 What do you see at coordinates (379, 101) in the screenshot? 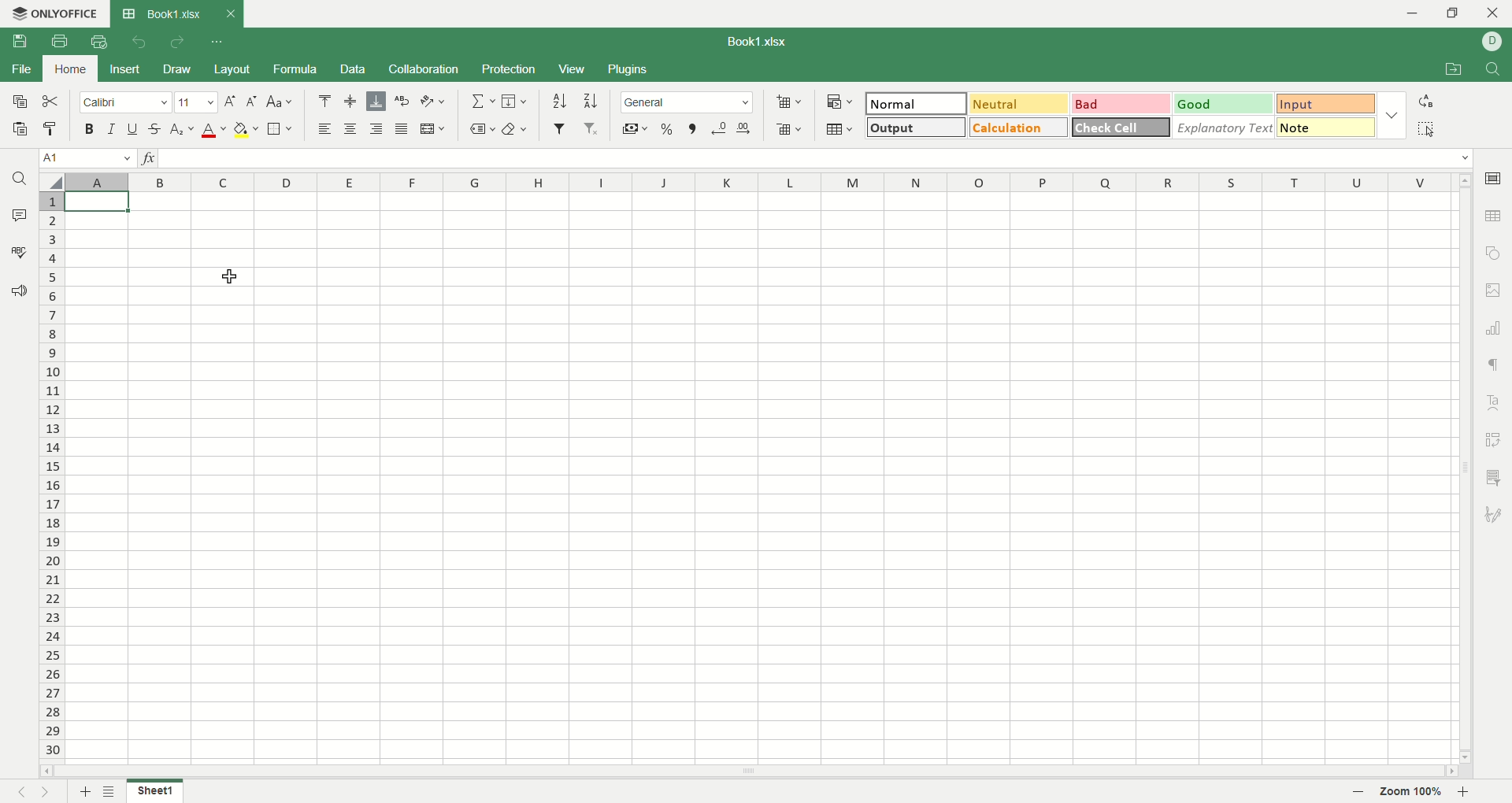
I see `align bottom` at bounding box center [379, 101].